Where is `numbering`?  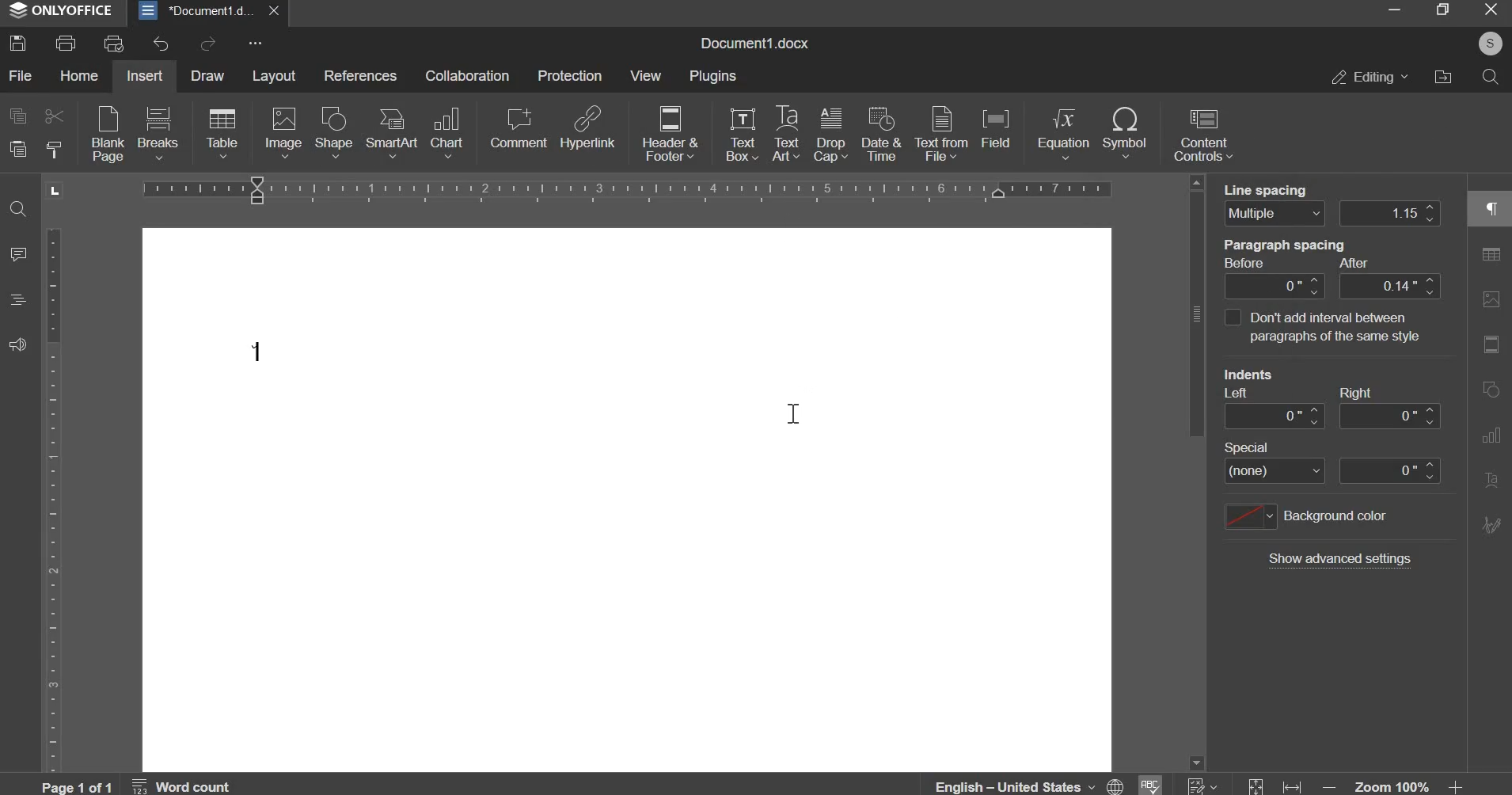
numbering is located at coordinates (1199, 785).